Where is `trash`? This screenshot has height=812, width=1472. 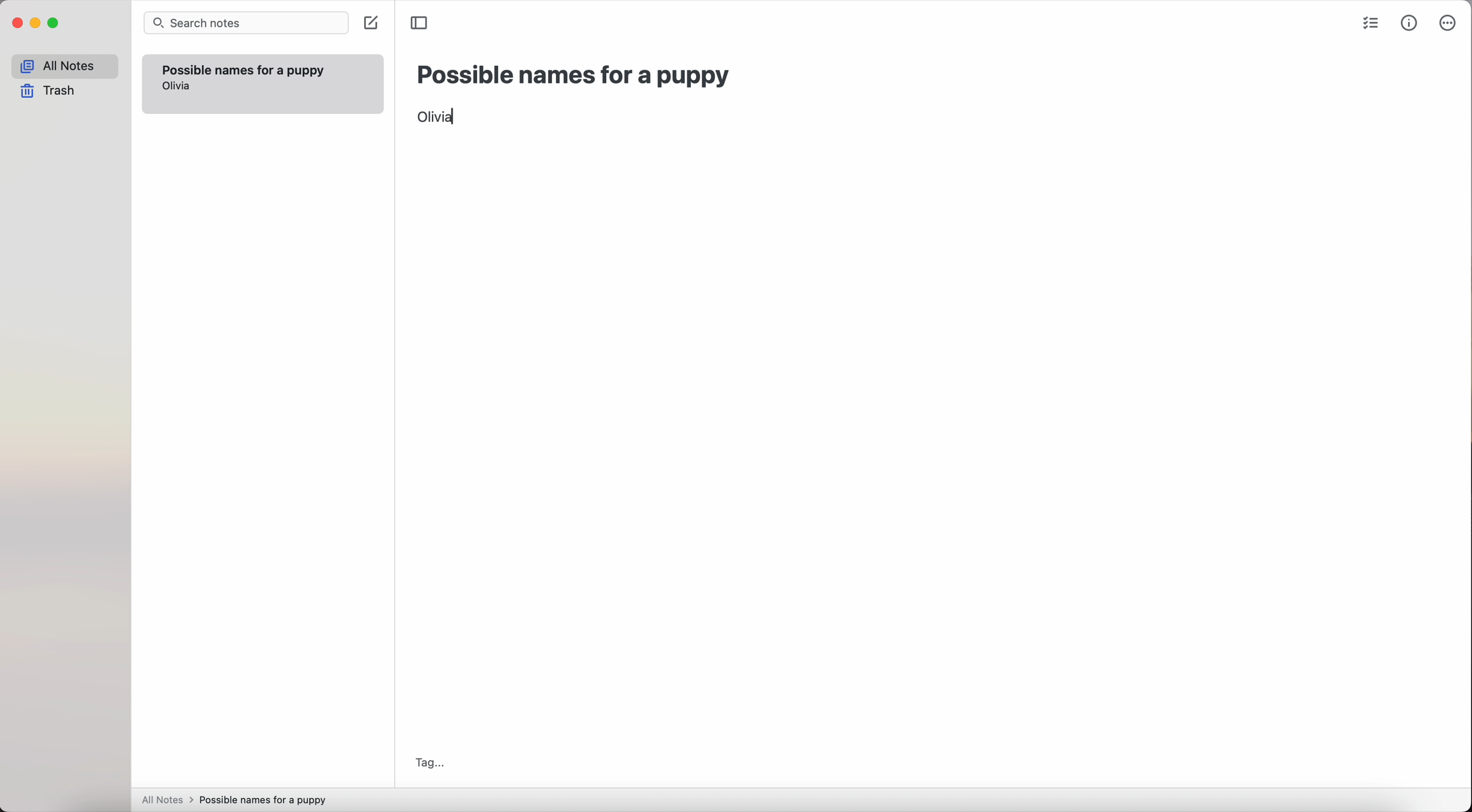 trash is located at coordinates (51, 91).